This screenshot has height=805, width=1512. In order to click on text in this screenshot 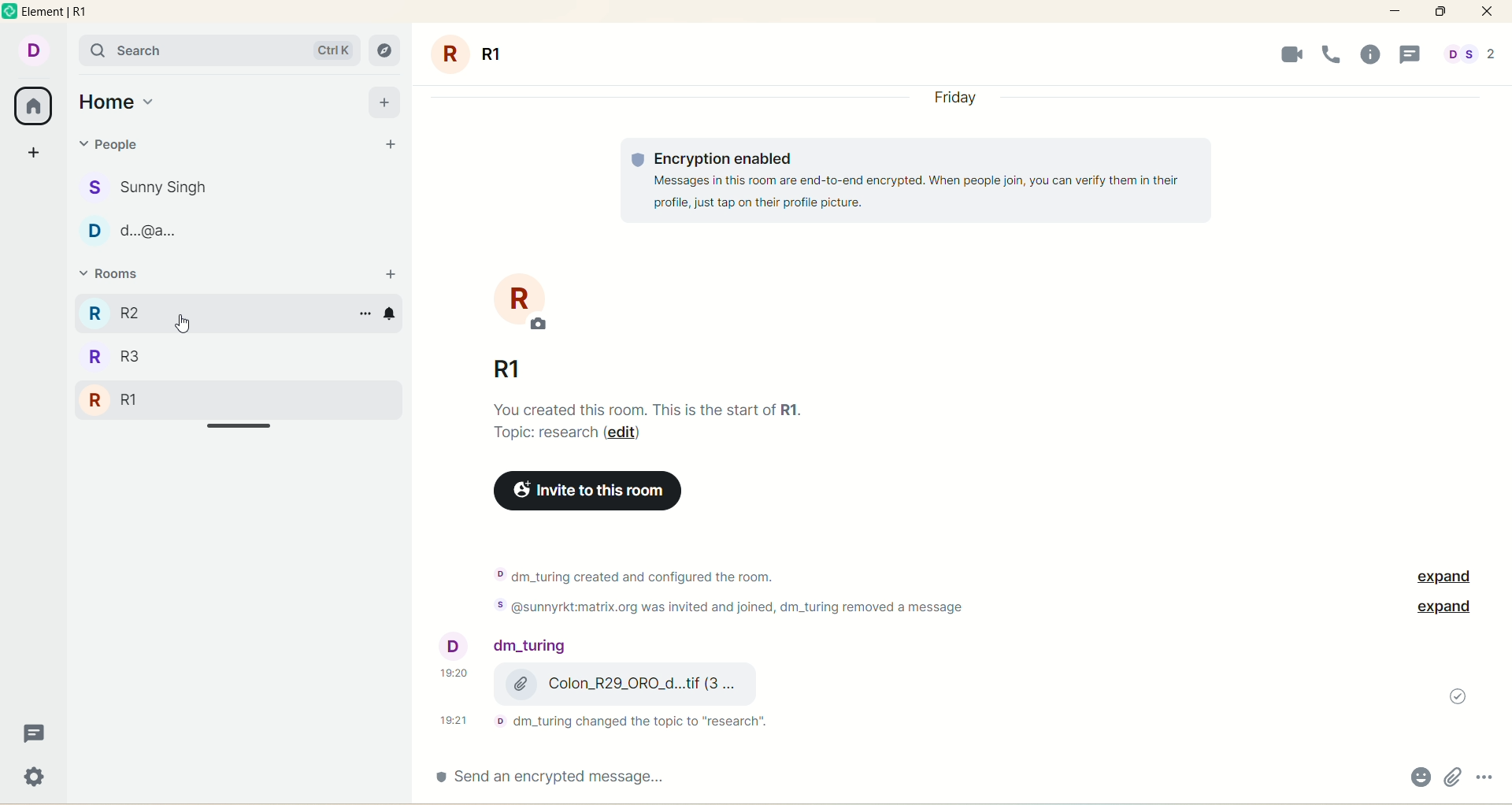, I will do `click(615, 719)`.